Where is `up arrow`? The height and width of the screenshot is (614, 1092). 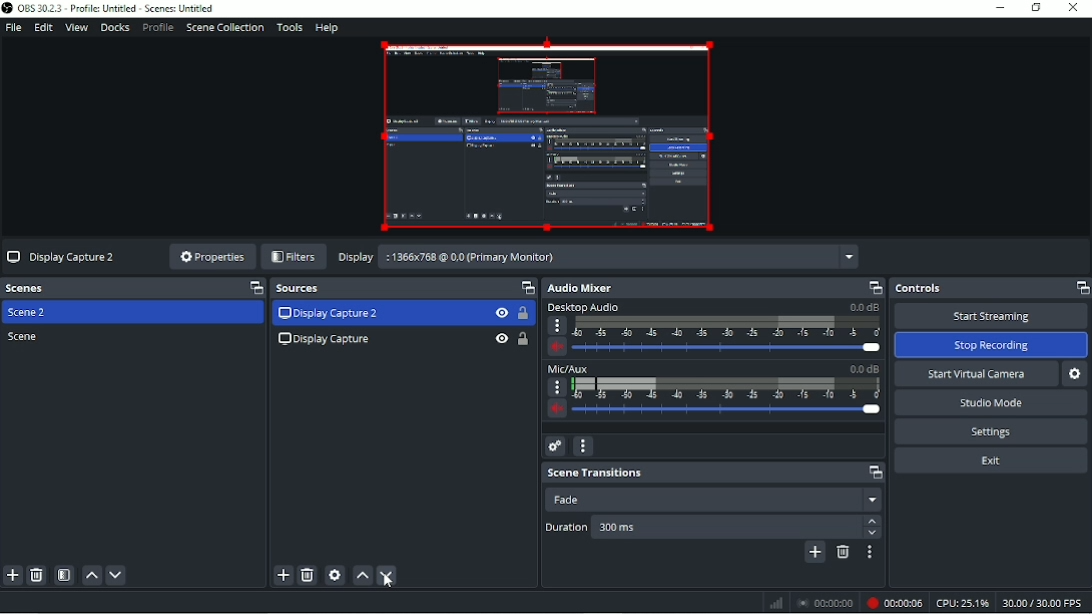
up arrow is located at coordinates (873, 520).